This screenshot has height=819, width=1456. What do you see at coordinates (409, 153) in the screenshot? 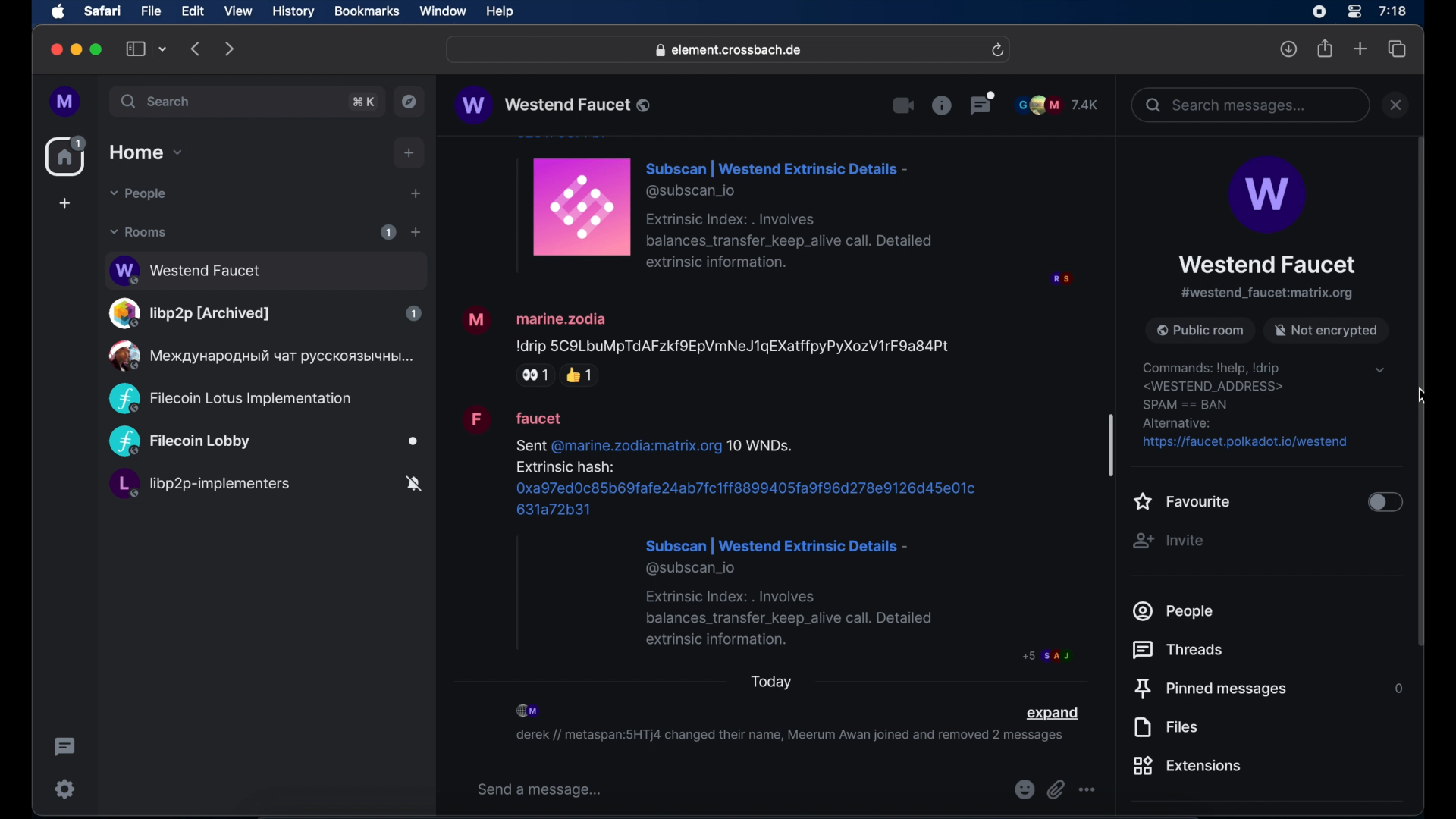
I see `add` at bounding box center [409, 153].